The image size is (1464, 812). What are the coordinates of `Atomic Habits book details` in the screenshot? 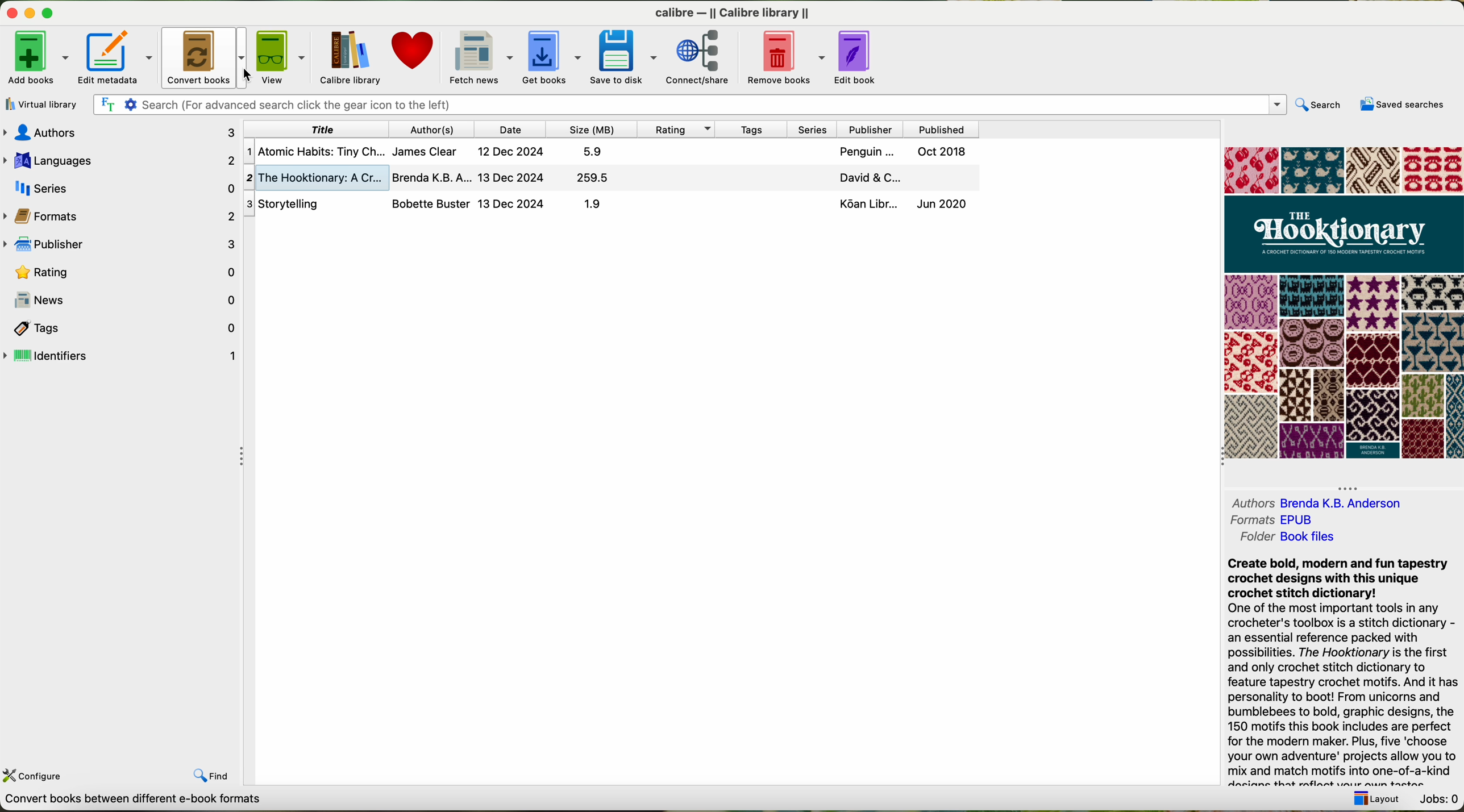 It's located at (609, 154).